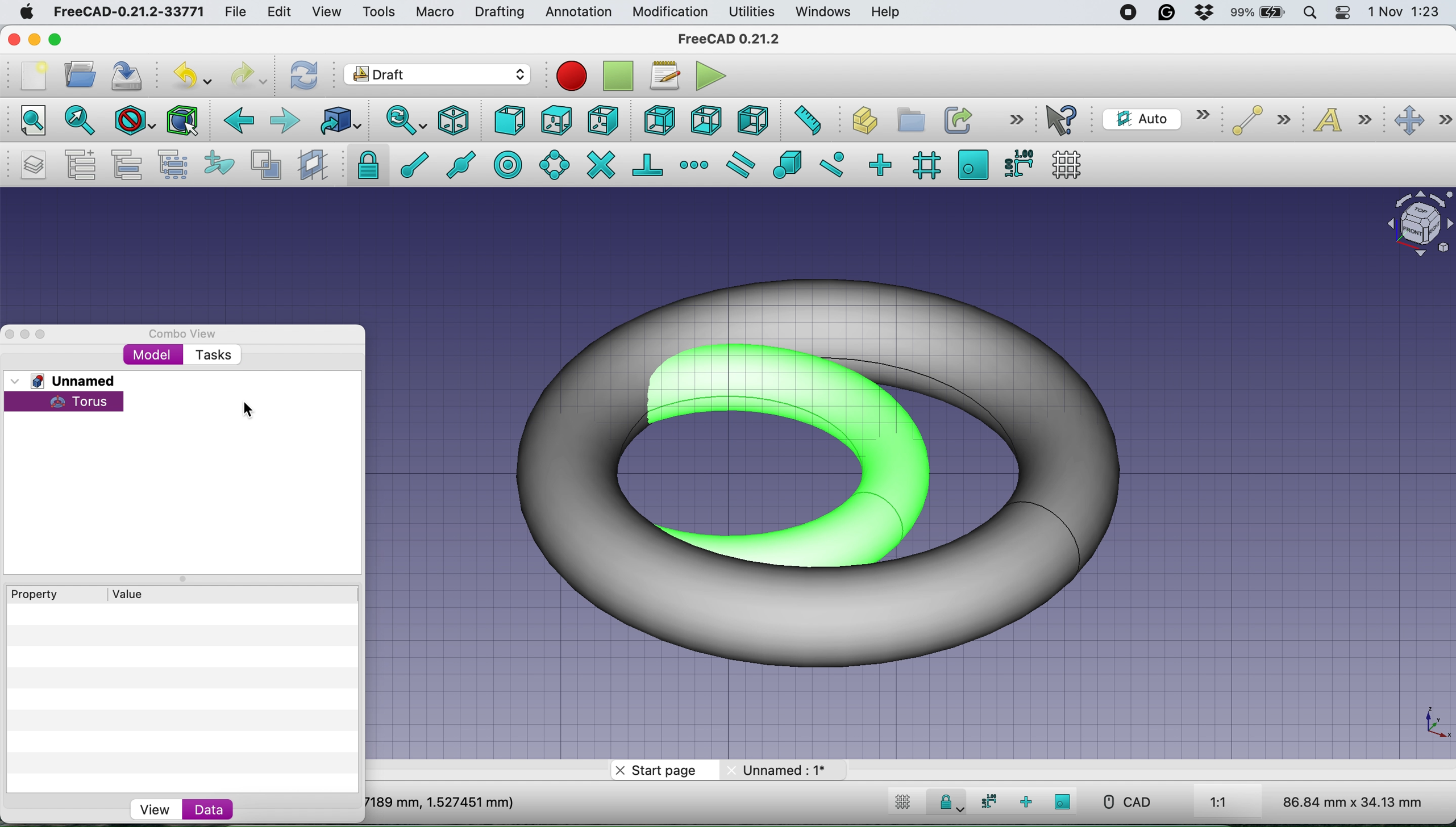 Image resolution: width=1456 pixels, height=827 pixels. I want to click on dropbox, so click(1203, 12).